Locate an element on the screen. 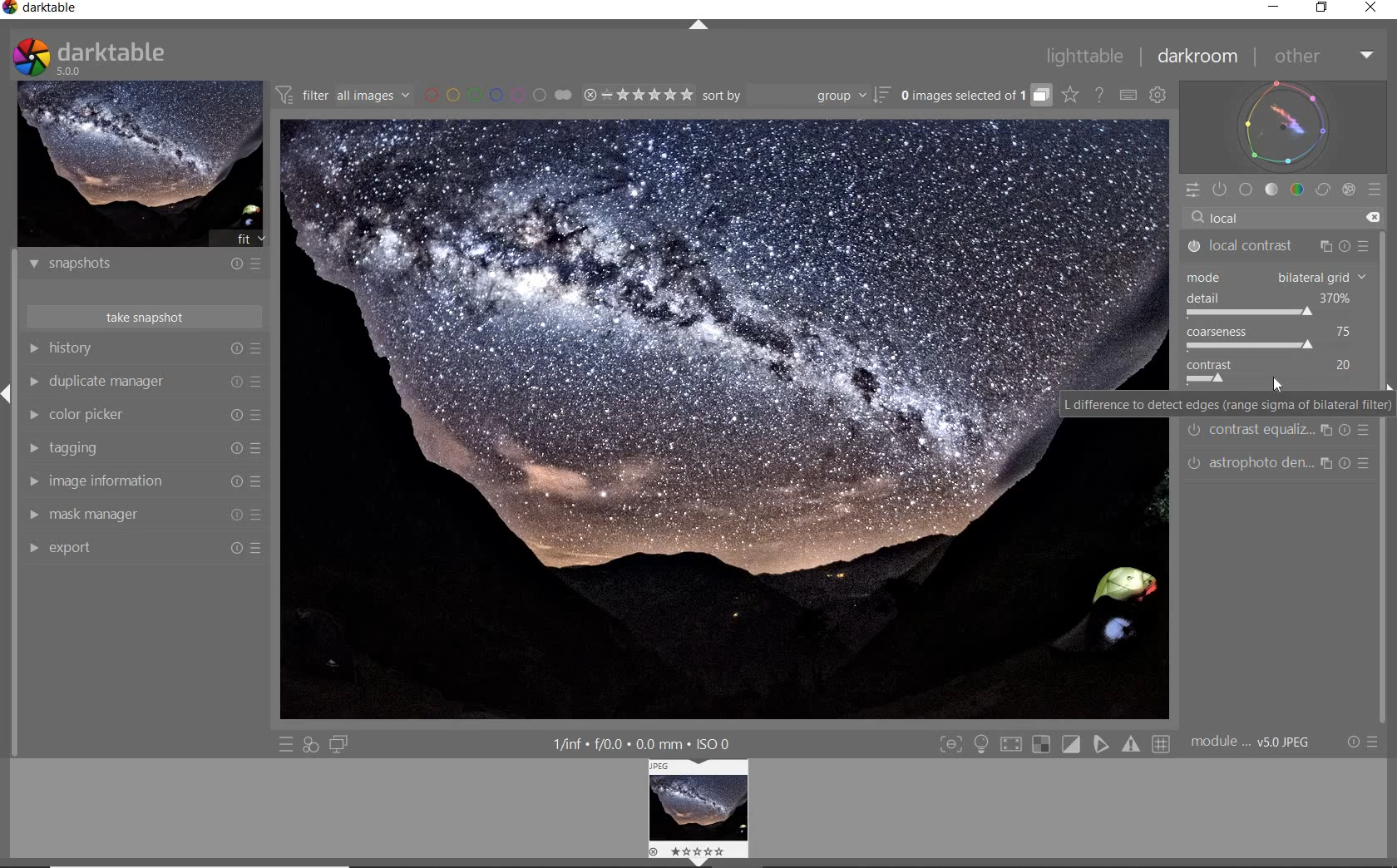 The width and height of the screenshot is (1397, 868). contrast slider is located at coordinates (1212, 382).